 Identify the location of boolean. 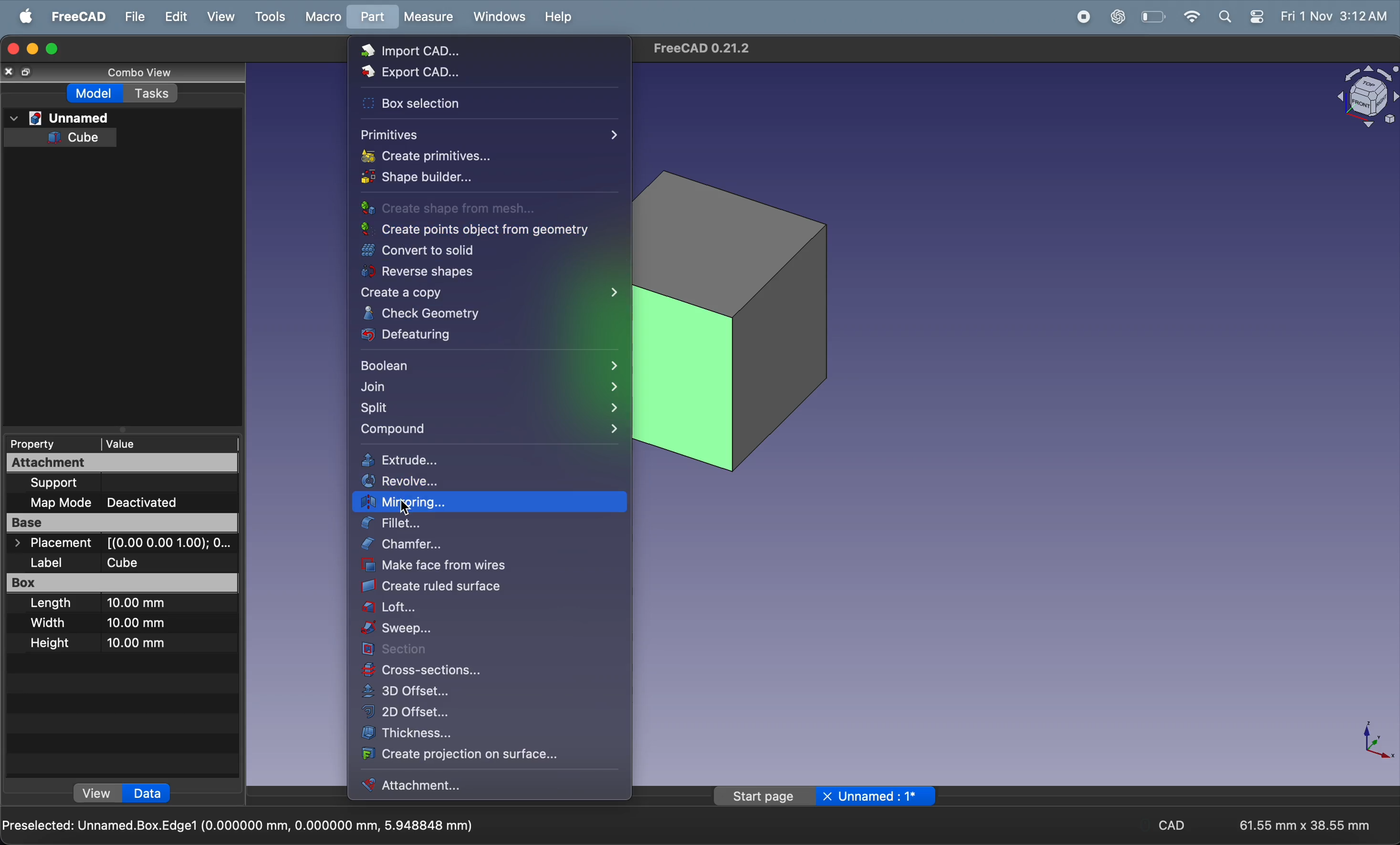
(491, 367).